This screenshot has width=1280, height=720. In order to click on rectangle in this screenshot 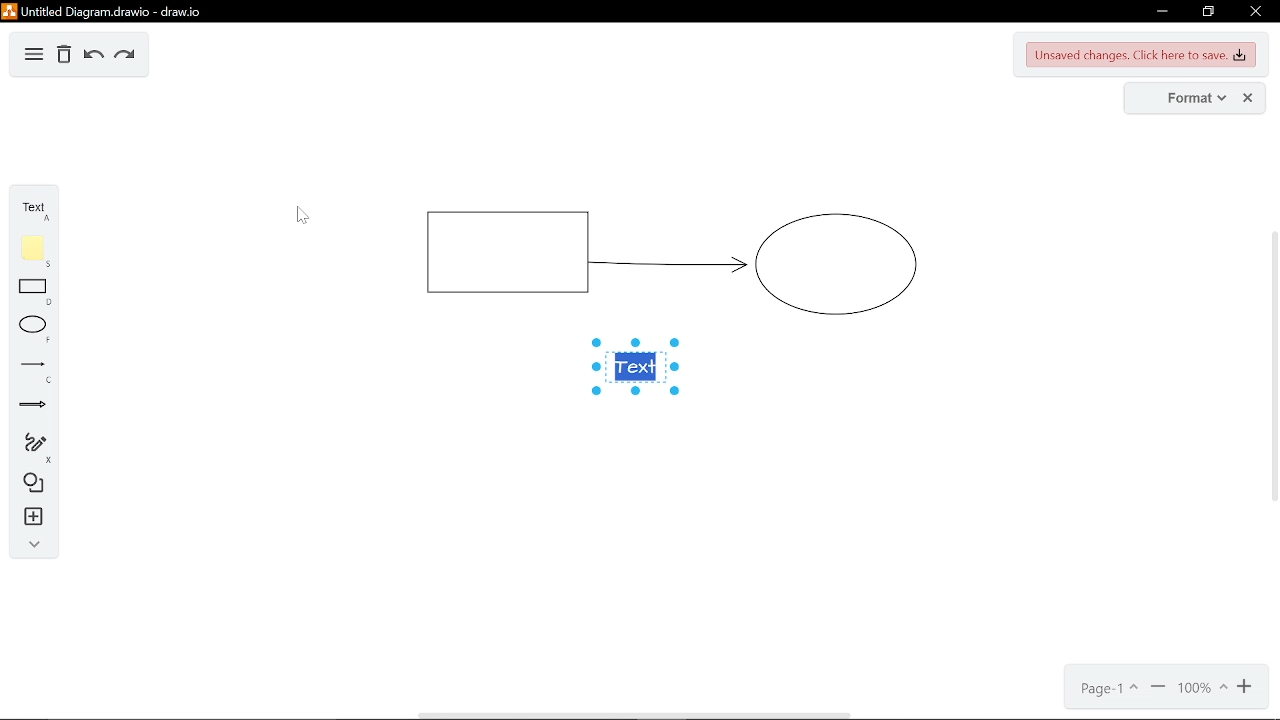, I will do `click(37, 291)`.